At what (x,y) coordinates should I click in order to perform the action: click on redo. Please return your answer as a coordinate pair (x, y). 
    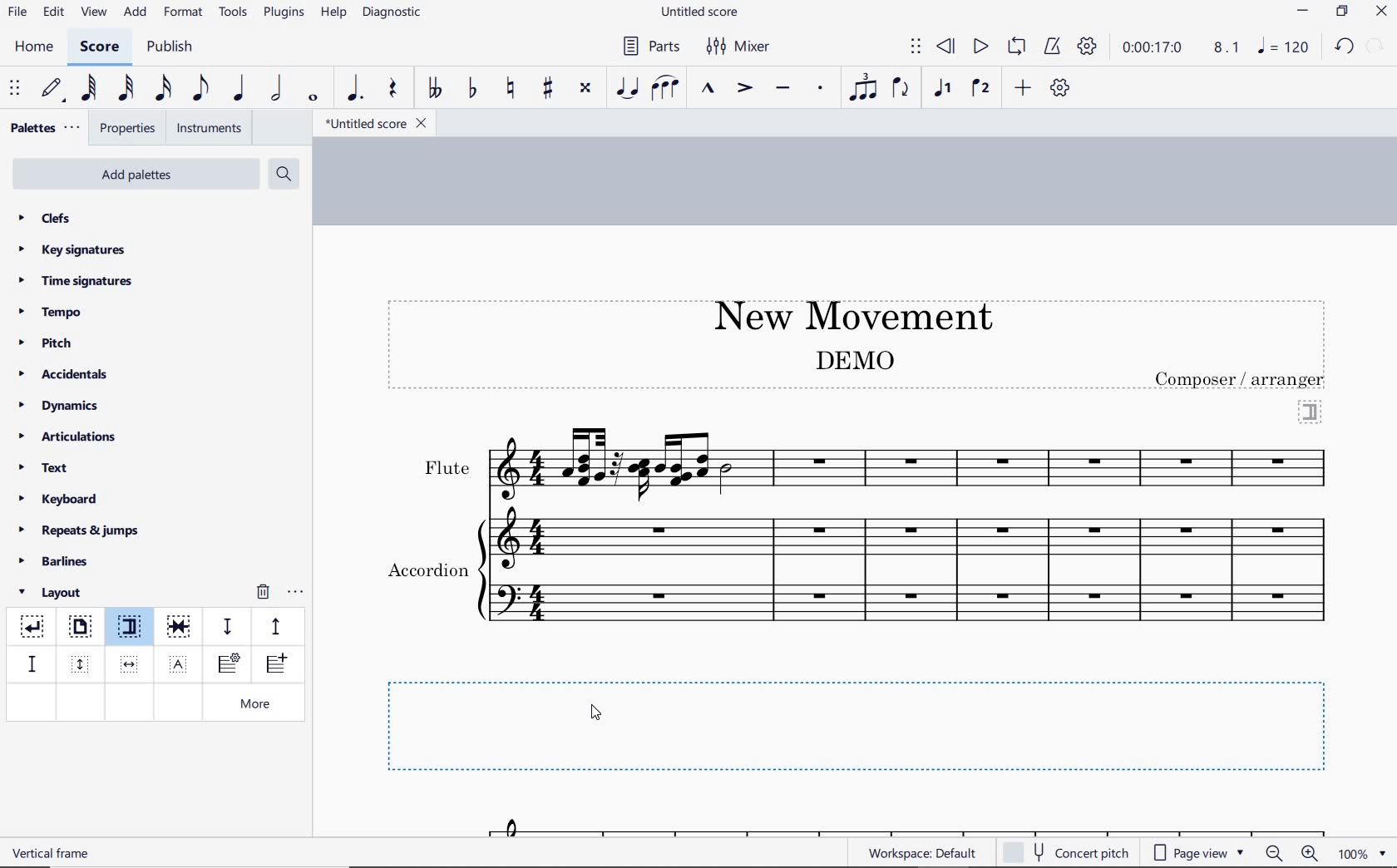
    Looking at the image, I should click on (1344, 46).